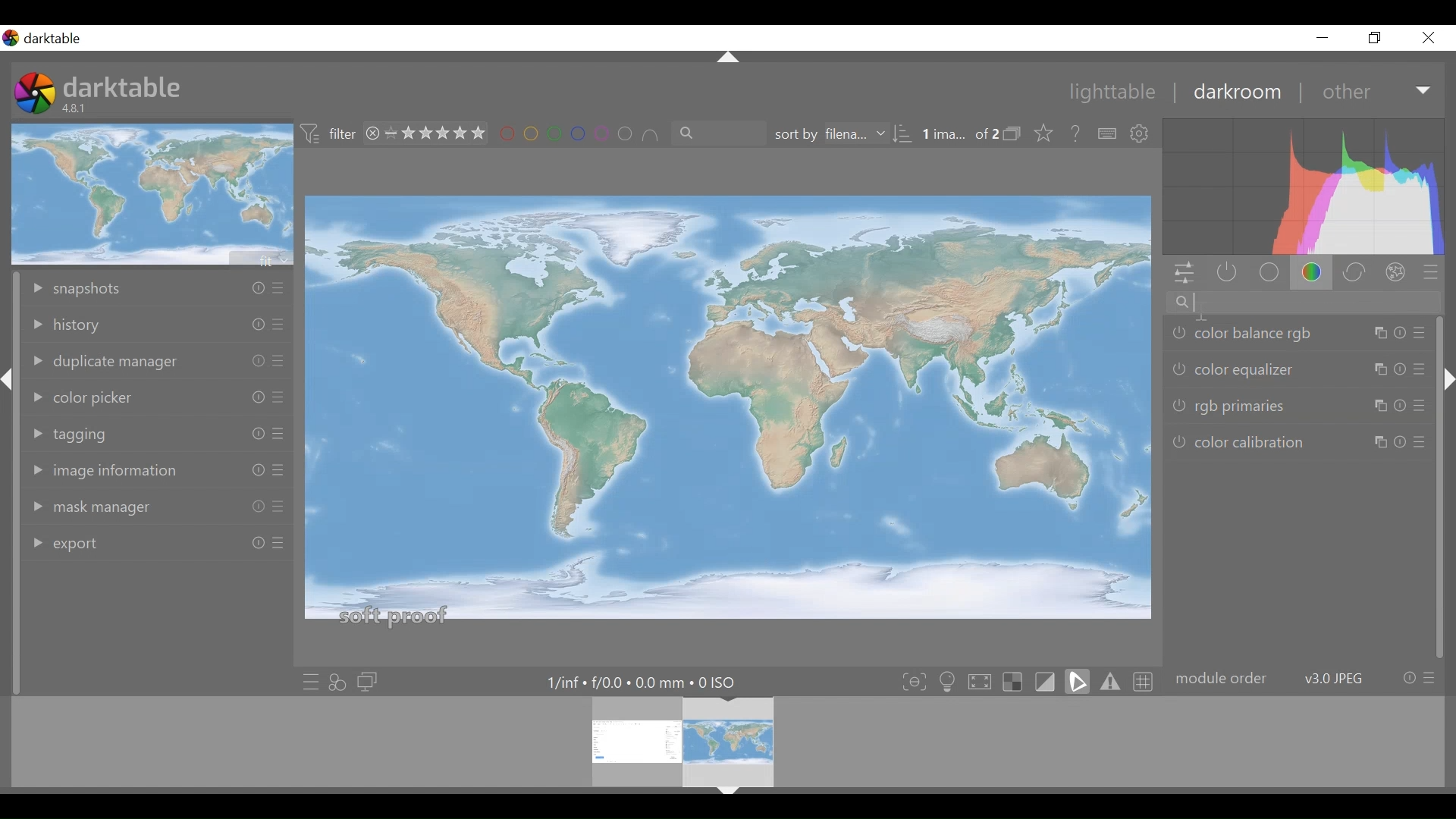 The height and width of the screenshot is (819, 1456). I want to click on correct, so click(1357, 274).